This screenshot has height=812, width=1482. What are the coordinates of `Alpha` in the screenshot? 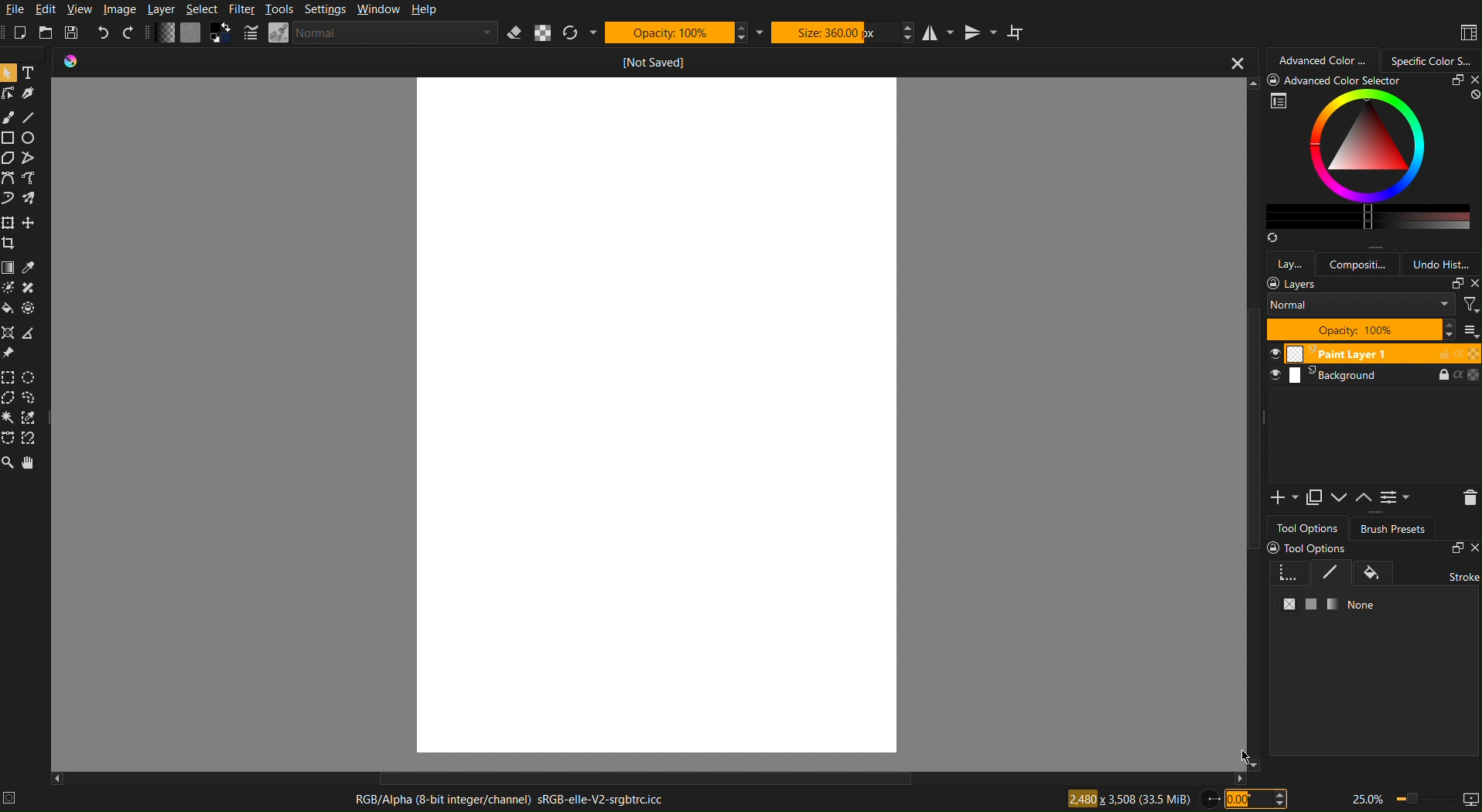 It's located at (543, 32).